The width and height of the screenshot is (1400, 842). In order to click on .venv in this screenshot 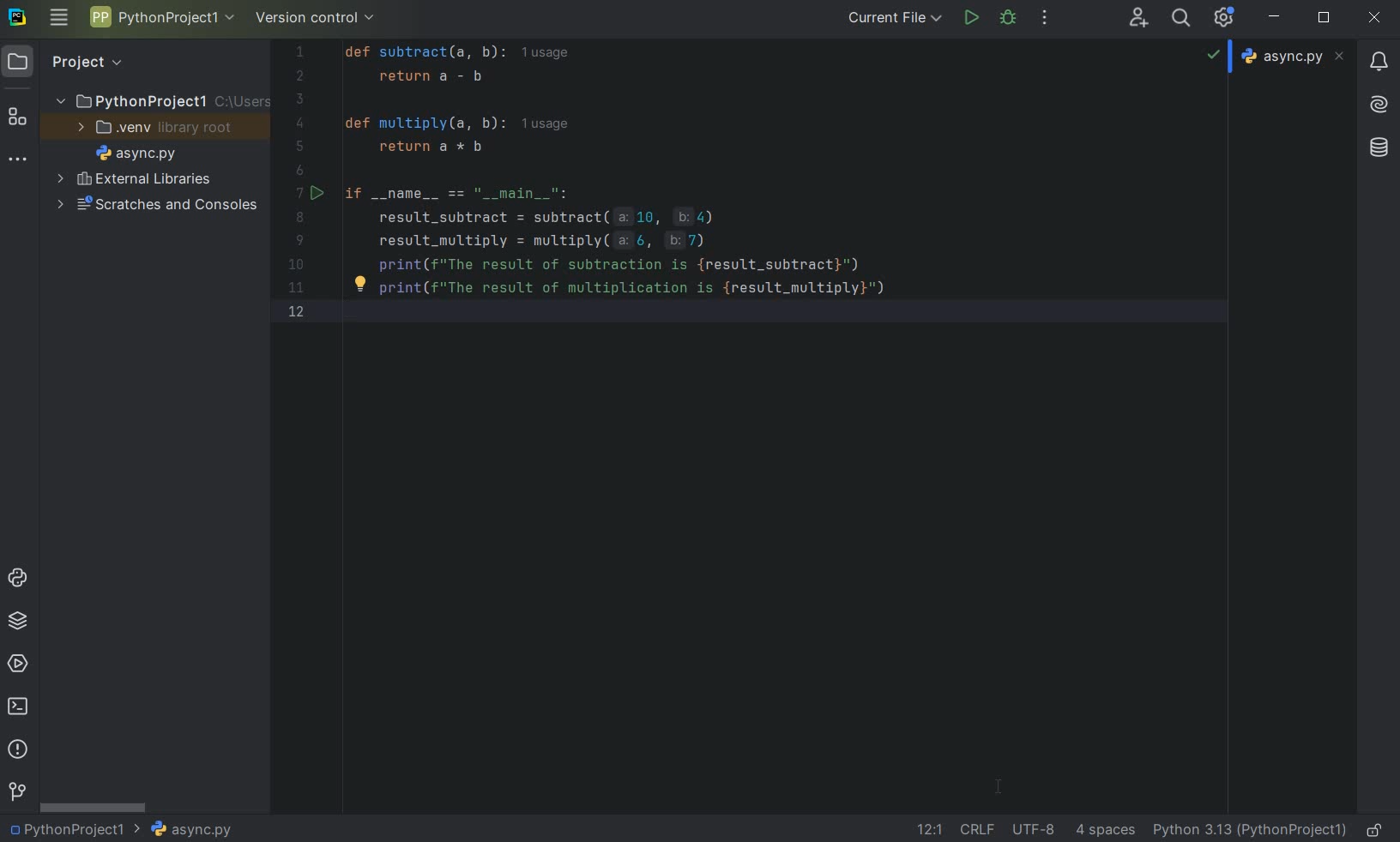, I will do `click(158, 129)`.